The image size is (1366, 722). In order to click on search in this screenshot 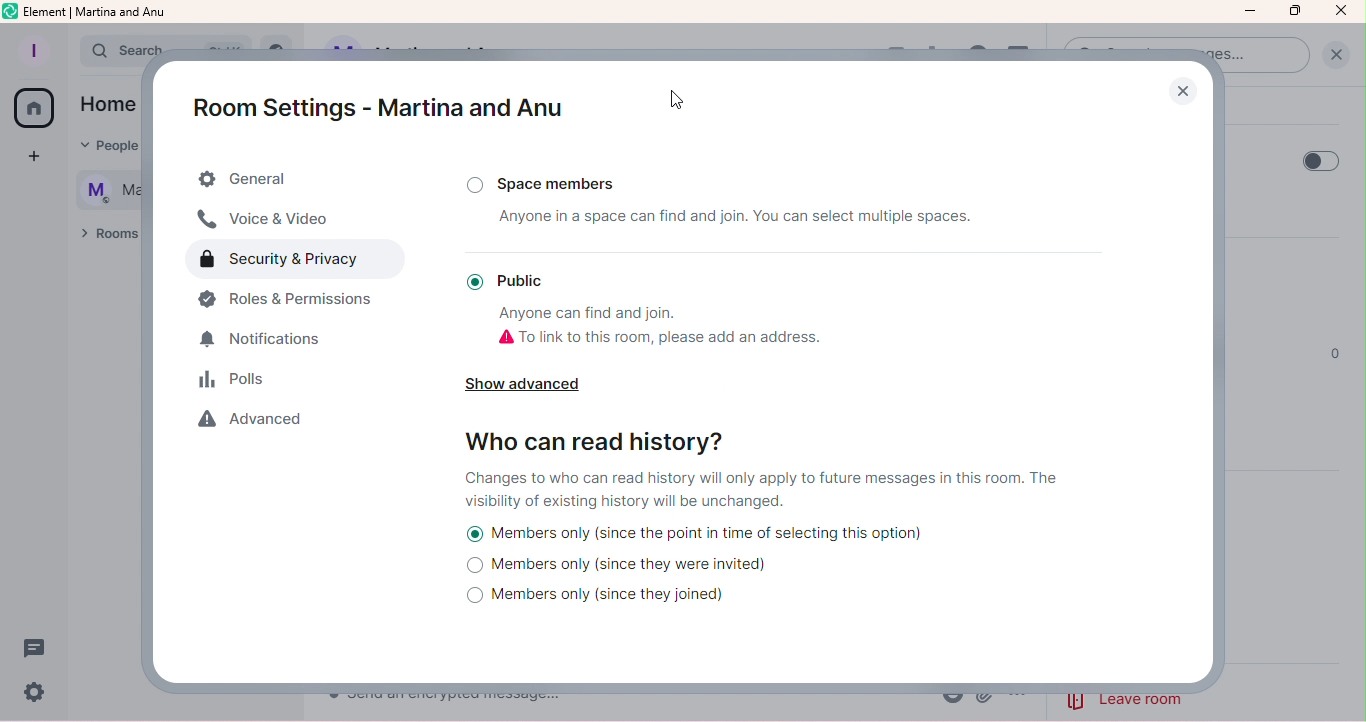, I will do `click(127, 51)`.